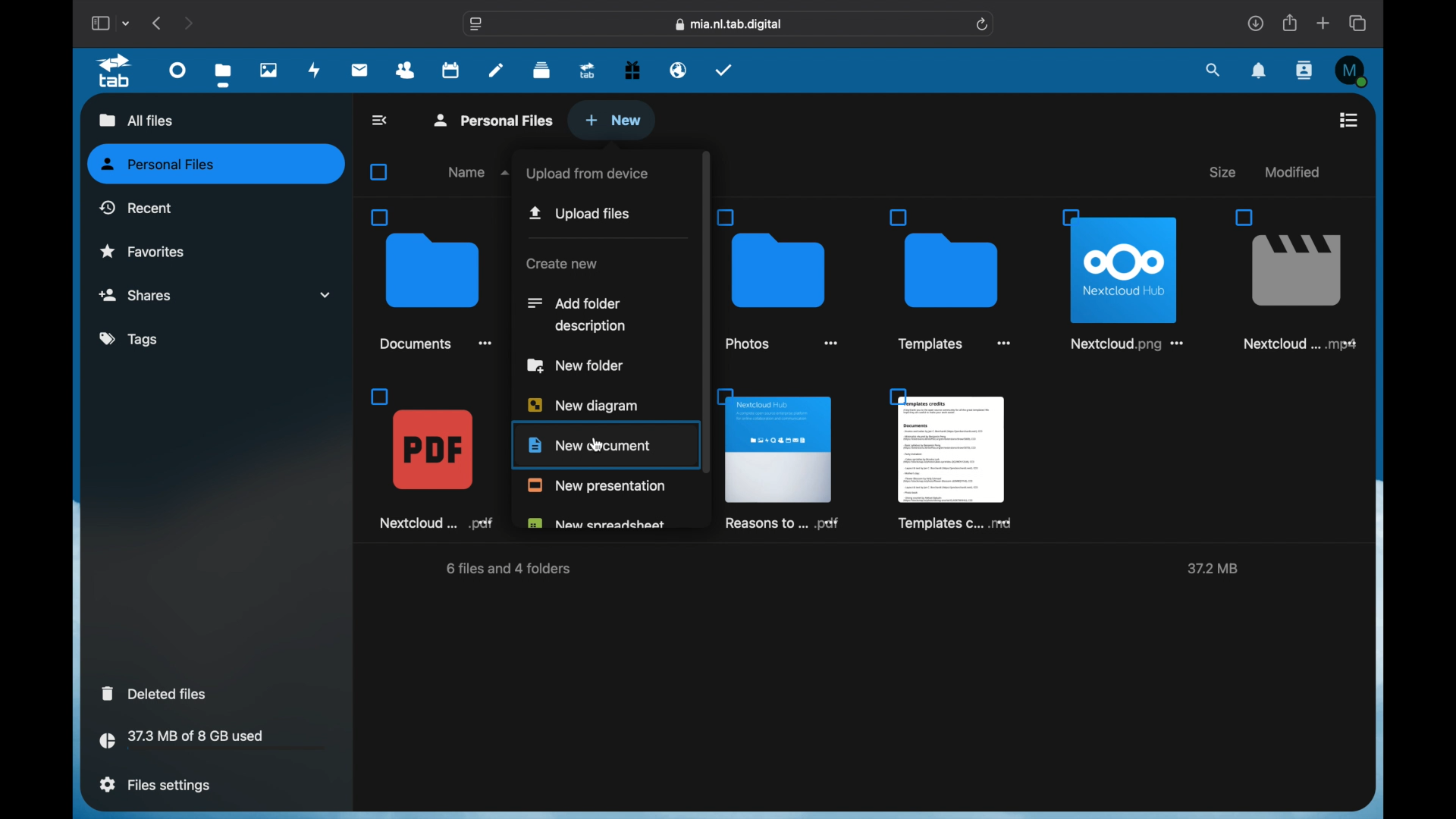 Image resolution: width=1456 pixels, height=819 pixels. I want to click on photos, so click(270, 70).